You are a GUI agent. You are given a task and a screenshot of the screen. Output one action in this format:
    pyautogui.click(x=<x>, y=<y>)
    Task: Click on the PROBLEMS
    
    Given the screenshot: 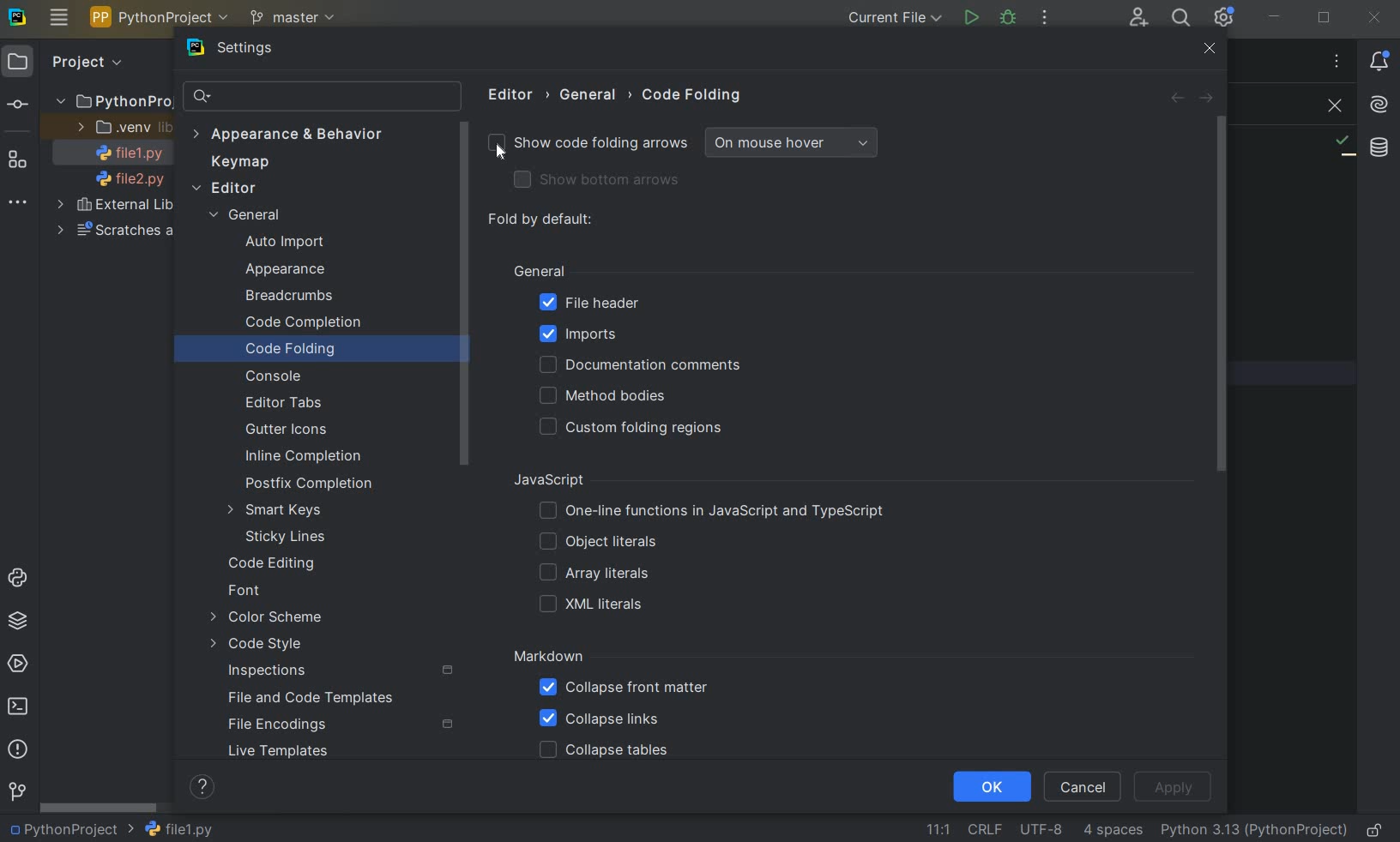 What is the action you would take?
    pyautogui.click(x=18, y=750)
    